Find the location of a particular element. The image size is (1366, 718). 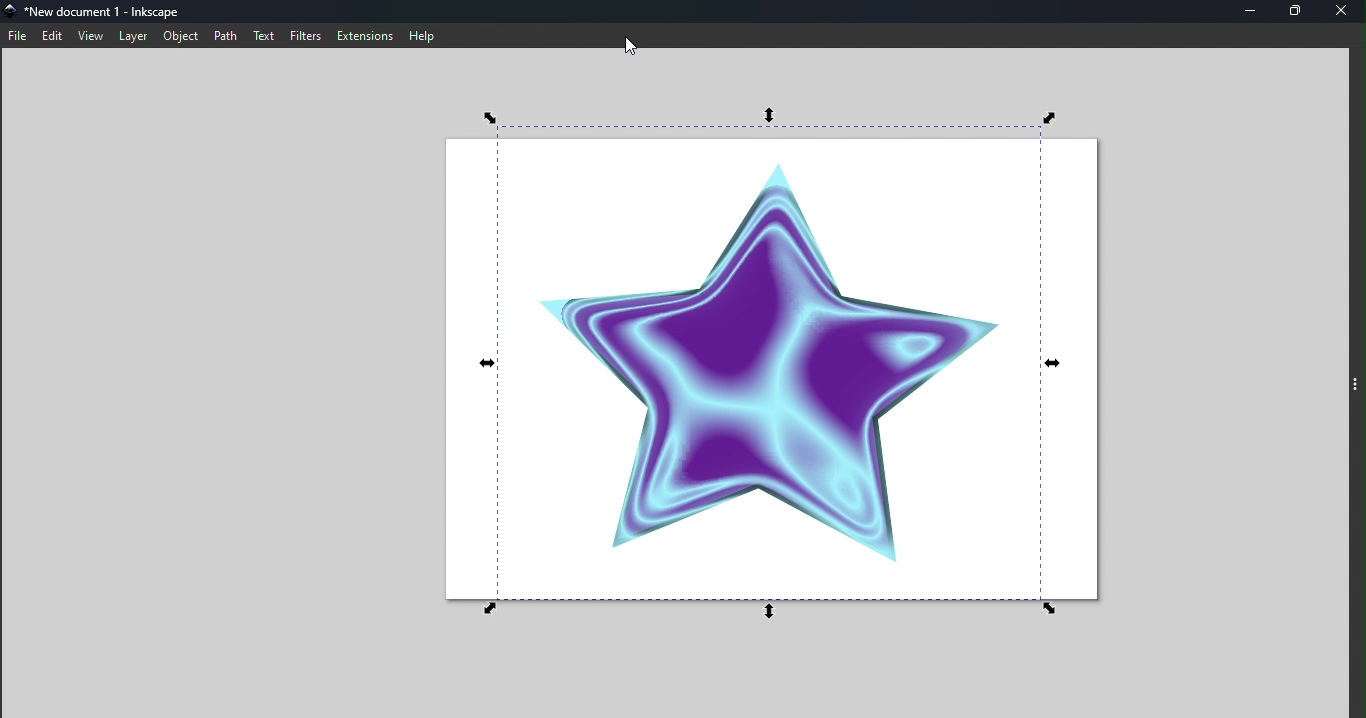

Layer is located at coordinates (131, 36).